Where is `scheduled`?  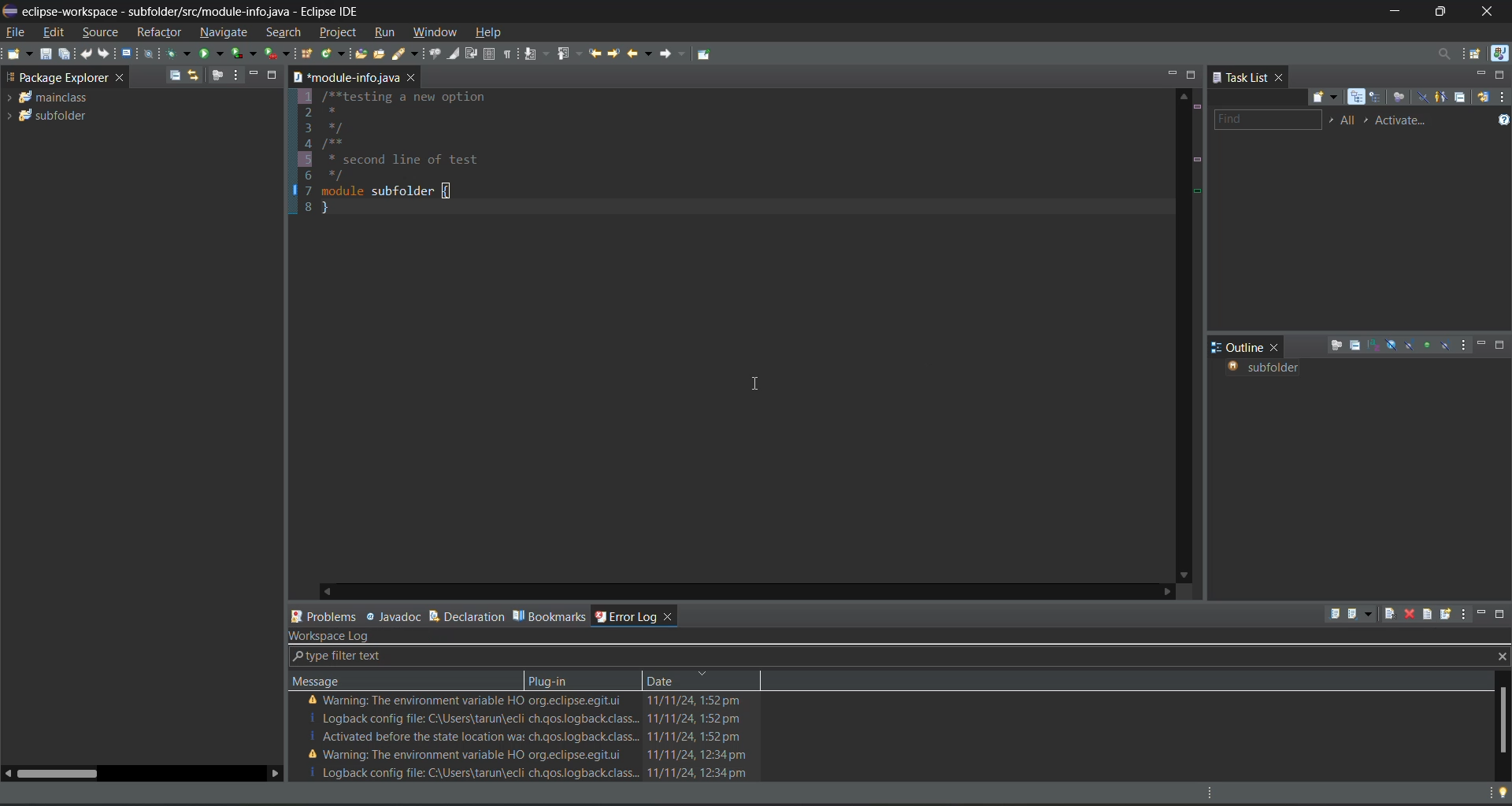 scheduled is located at coordinates (1377, 98).